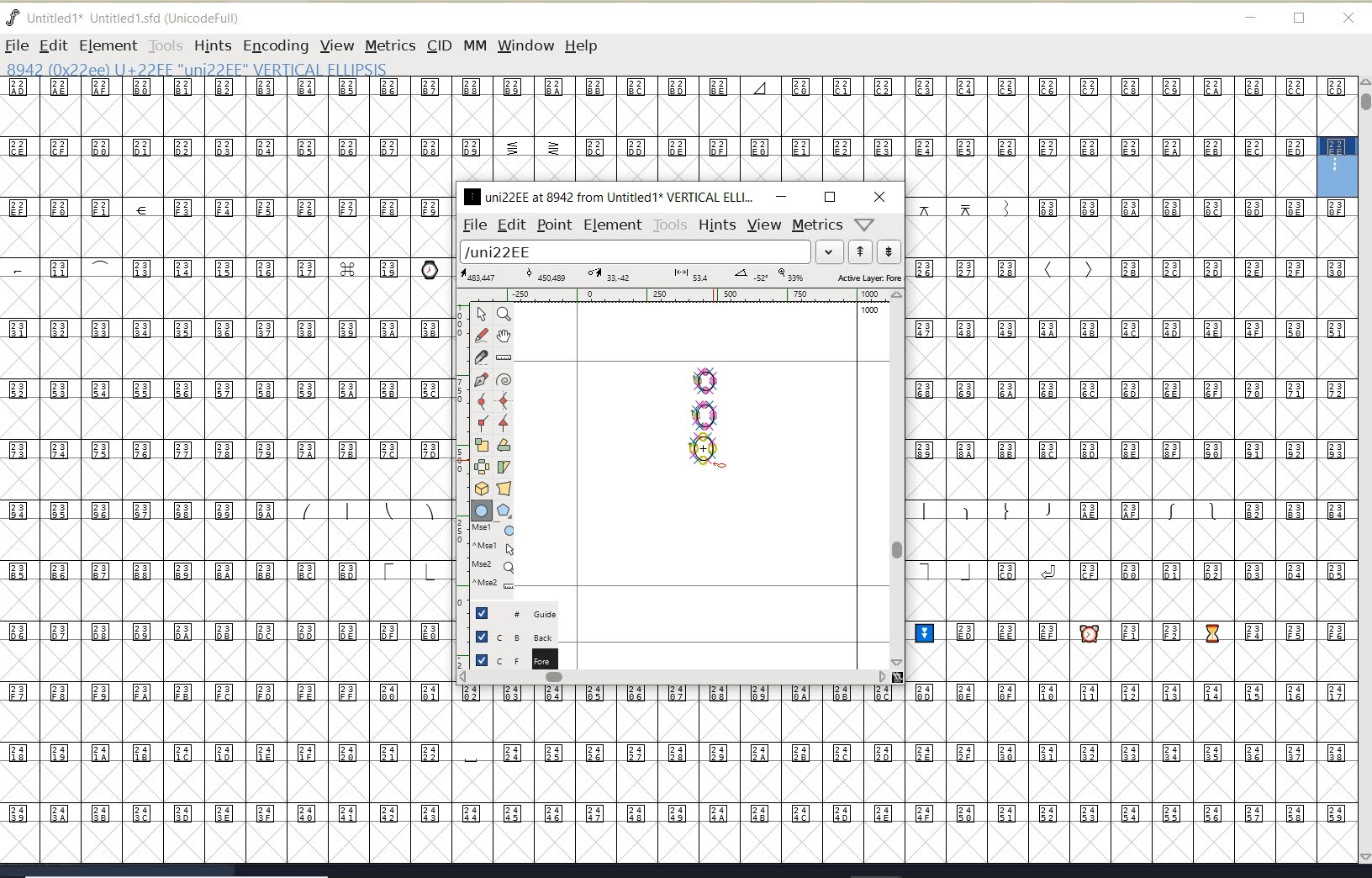  I want to click on add a tangent point, so click(502, 420).